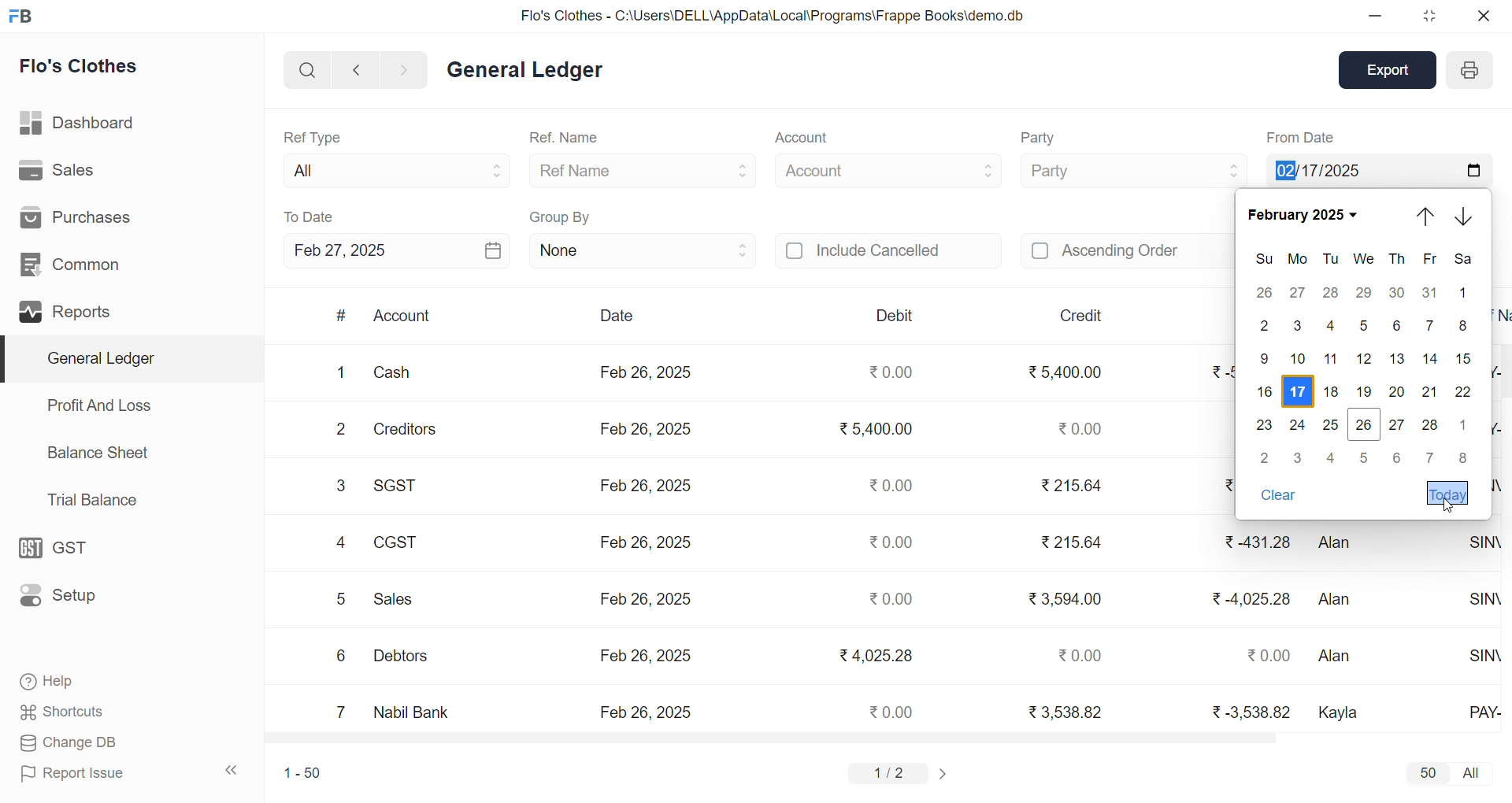 This screenshot has width=1512, height=803. Describe the element at coordinates (402, 370) in the screenshot. I see `Cash` at that location.